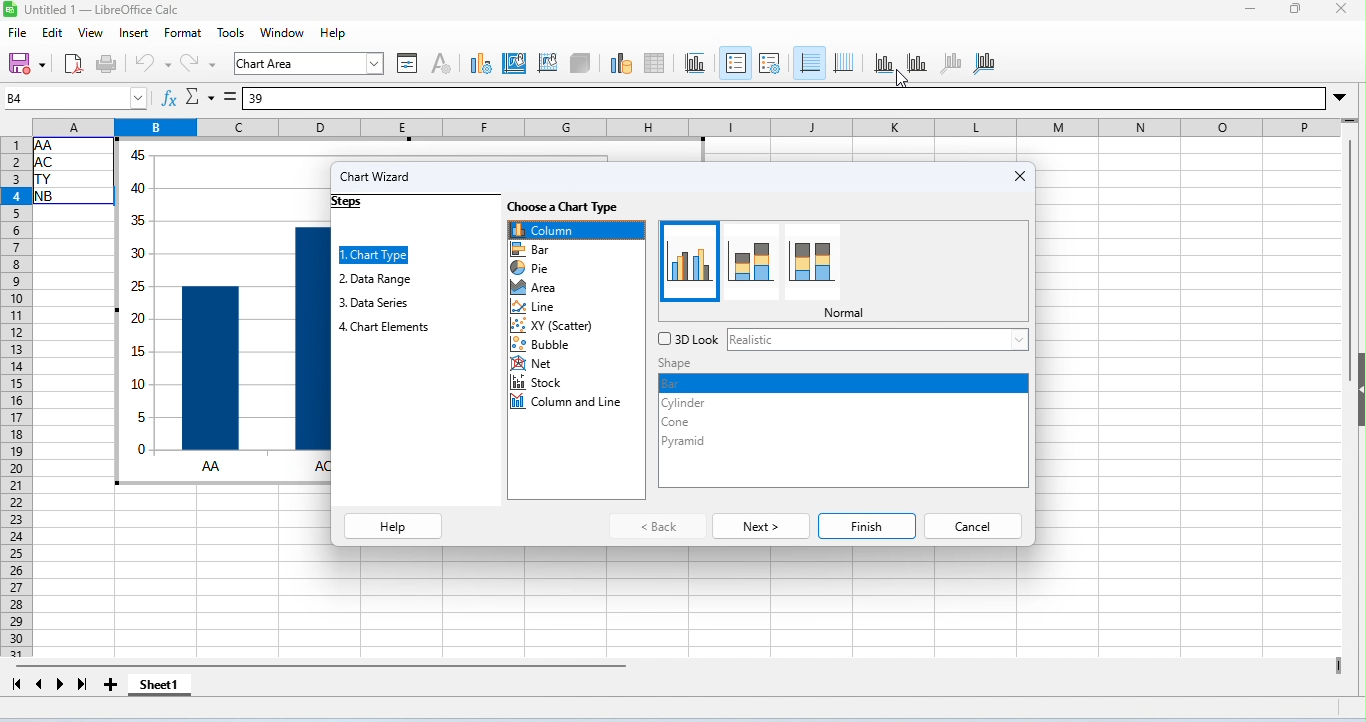 This screenshot has height=722, width=1366. I want to click on cell ranges, so click(73, 179).